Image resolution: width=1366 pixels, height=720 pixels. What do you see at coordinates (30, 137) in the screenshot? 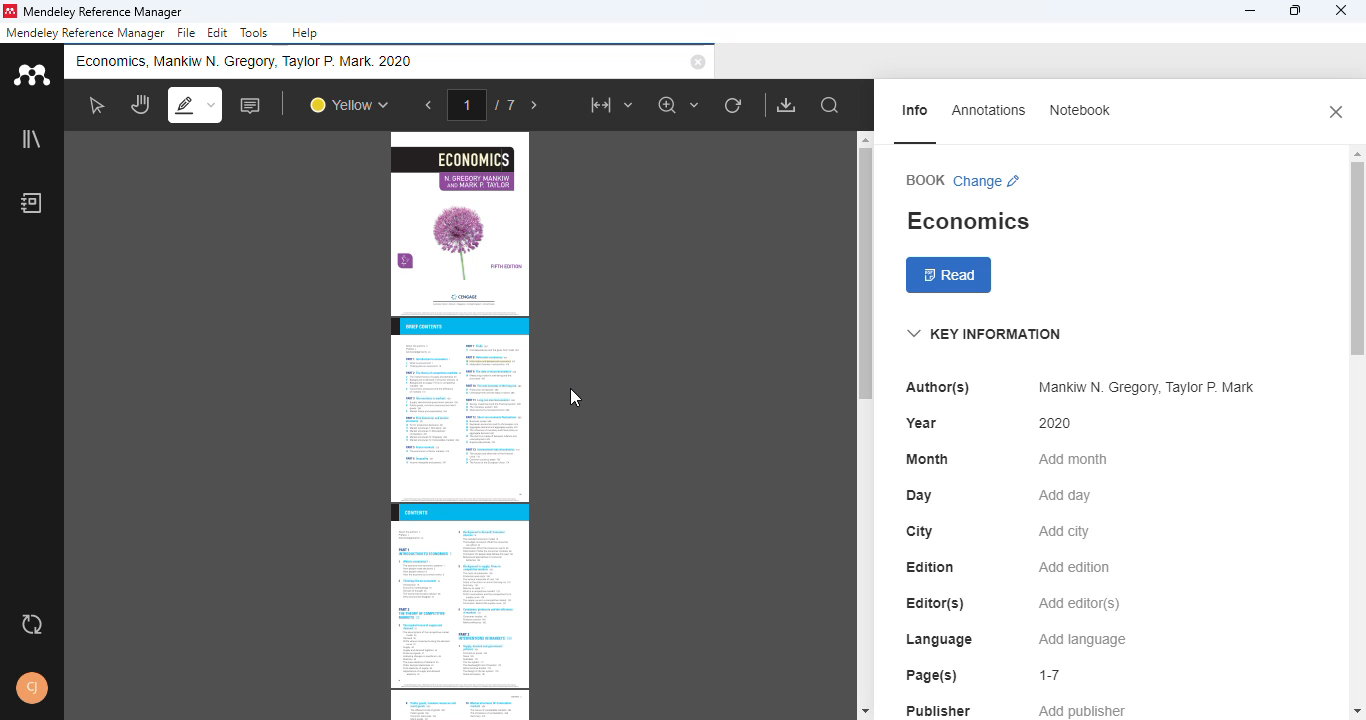
I see `library` at bounding box center [30, 137].